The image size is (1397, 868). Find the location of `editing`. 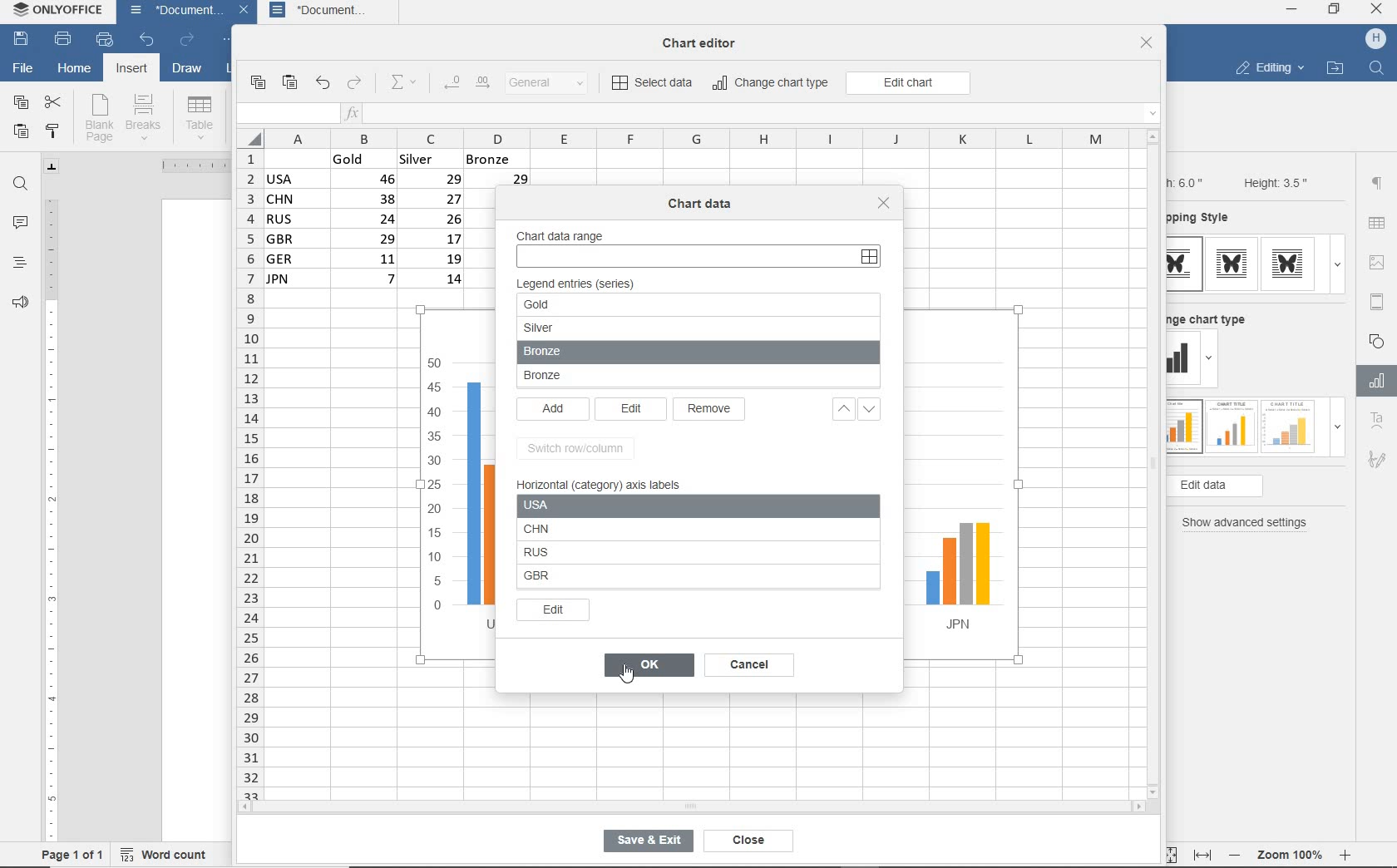

editing is located at coordinates (1269, 70).